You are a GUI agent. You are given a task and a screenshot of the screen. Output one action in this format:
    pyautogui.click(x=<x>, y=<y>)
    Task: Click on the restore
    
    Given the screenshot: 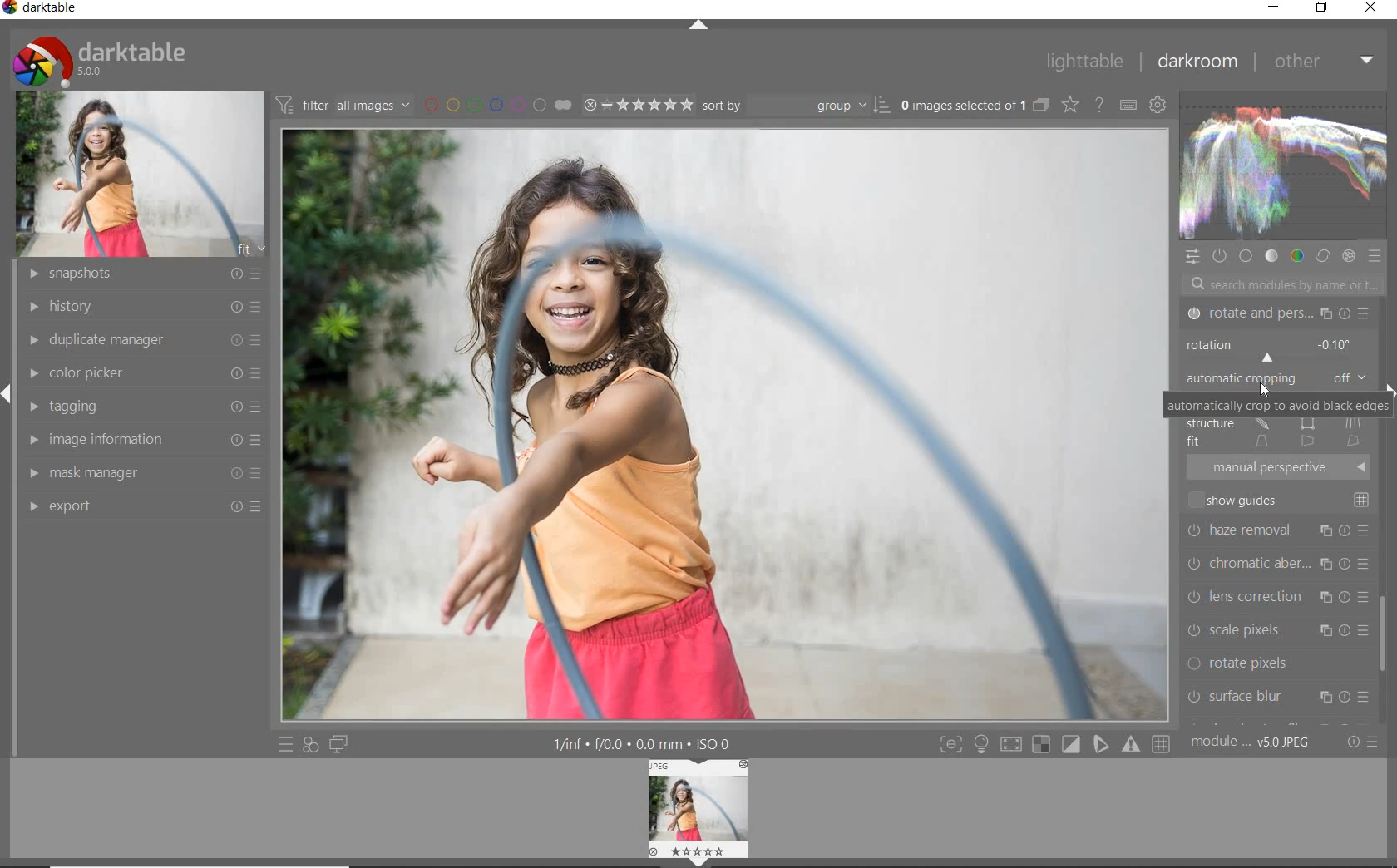 What is the action you would take?
    pyautogui.click(x=1324, y=7)
    